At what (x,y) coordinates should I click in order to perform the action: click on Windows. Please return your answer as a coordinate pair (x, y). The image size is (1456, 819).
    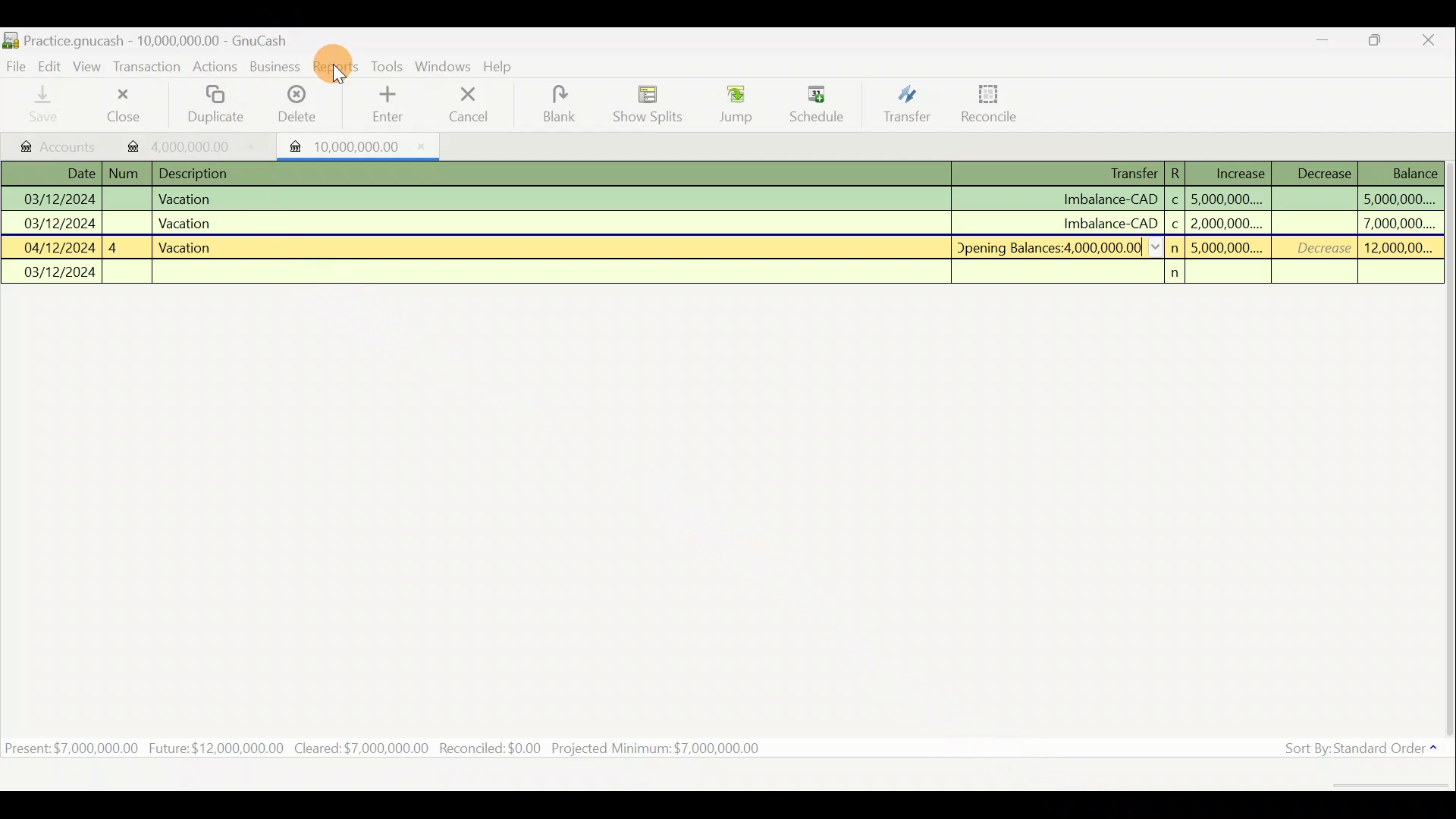
    Looking at the image, I should click on (444, 68).